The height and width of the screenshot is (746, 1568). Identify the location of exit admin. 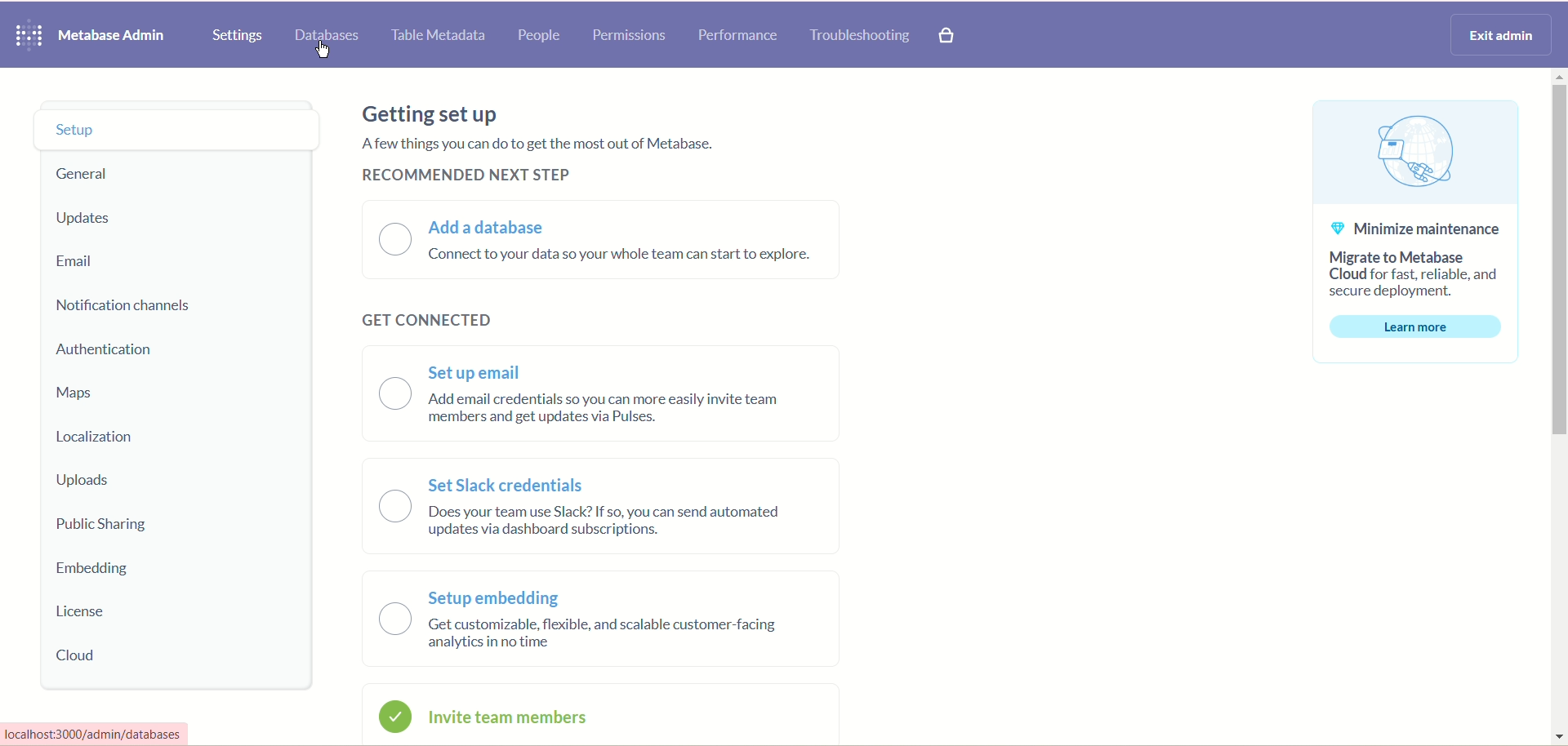
(1498, 33).